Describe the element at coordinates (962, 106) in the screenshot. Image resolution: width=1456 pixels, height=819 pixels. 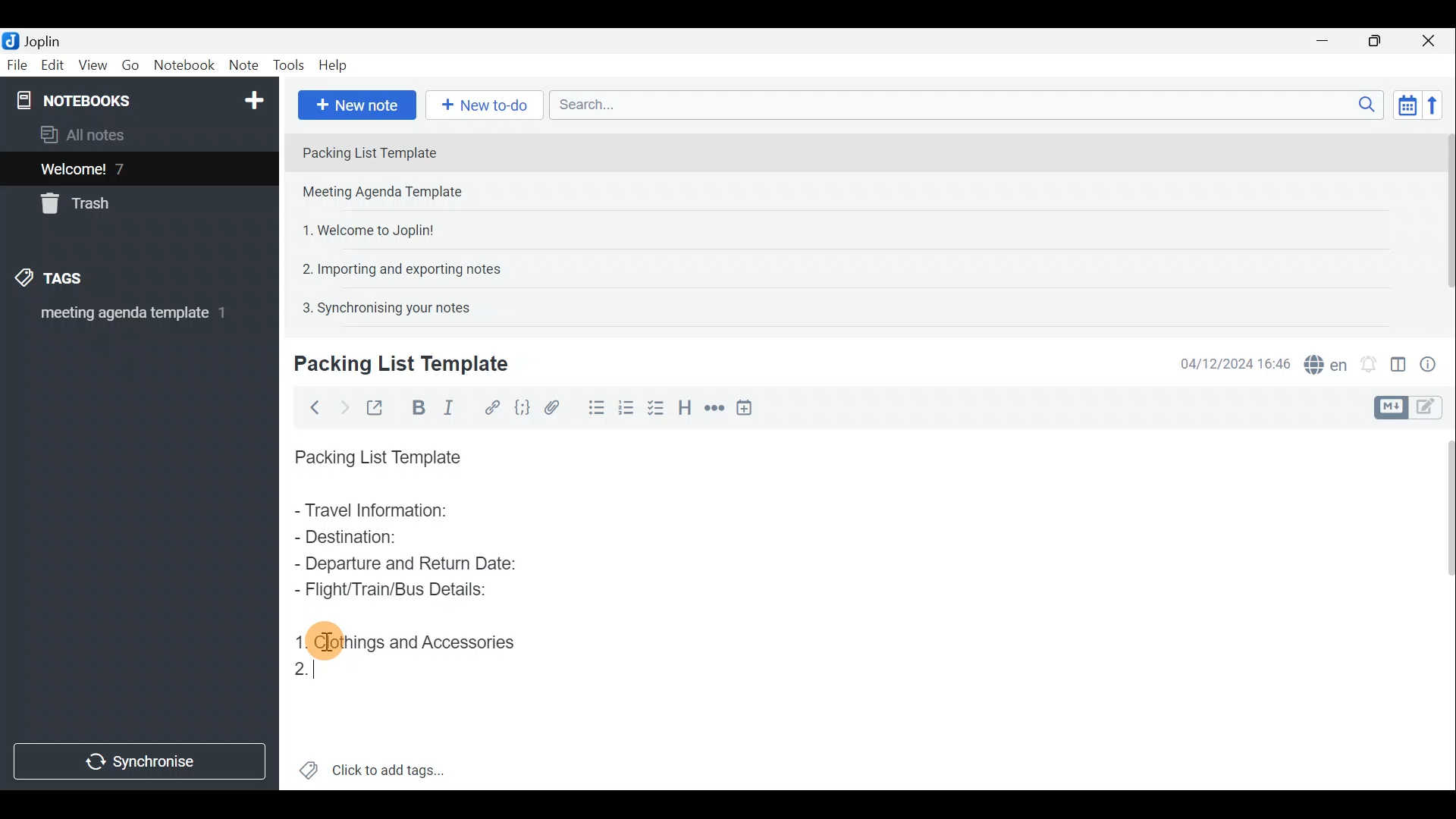
I see `Search bar` at that location.